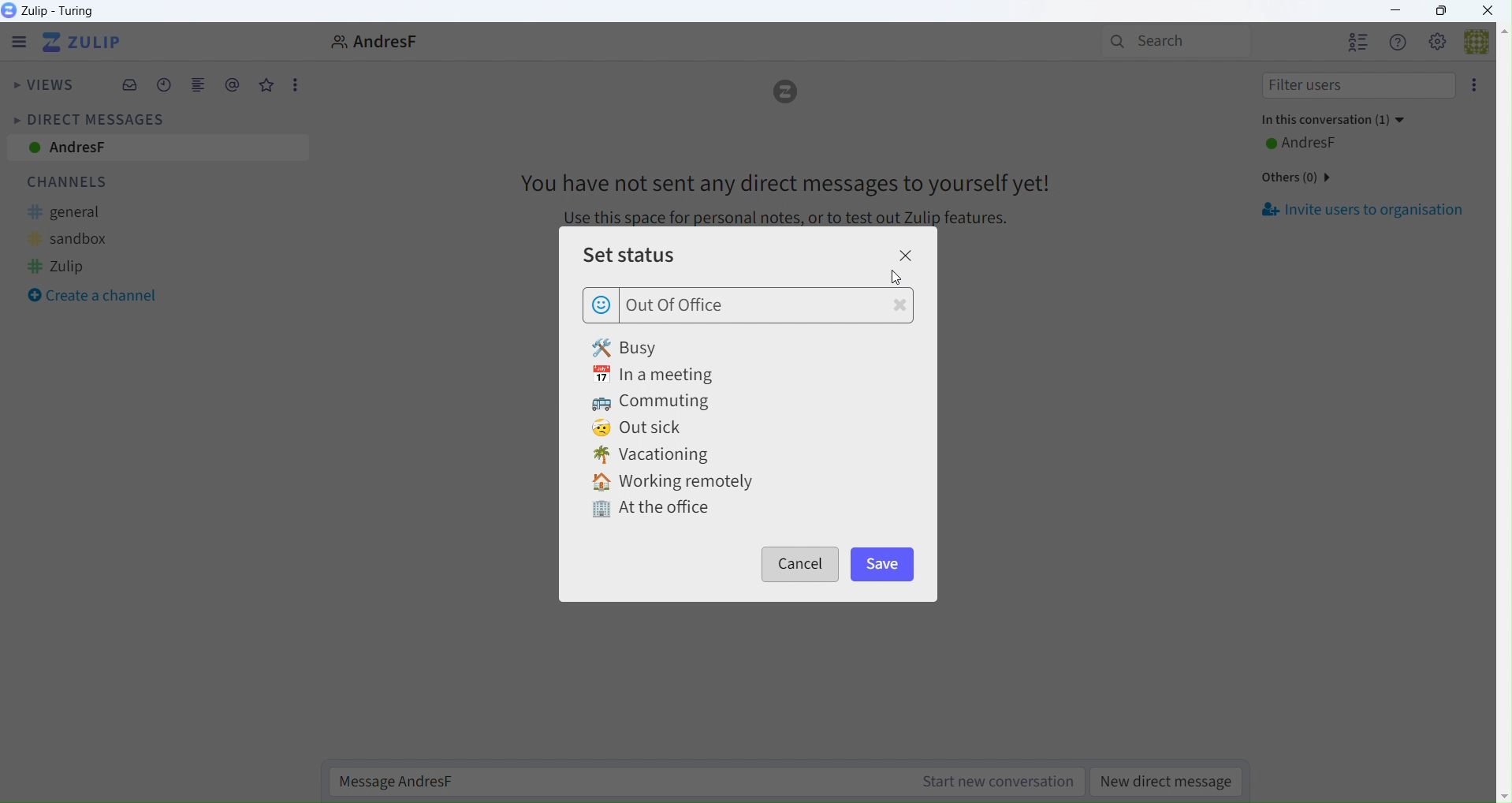  I want to click on Out sick, so click(642, 428).